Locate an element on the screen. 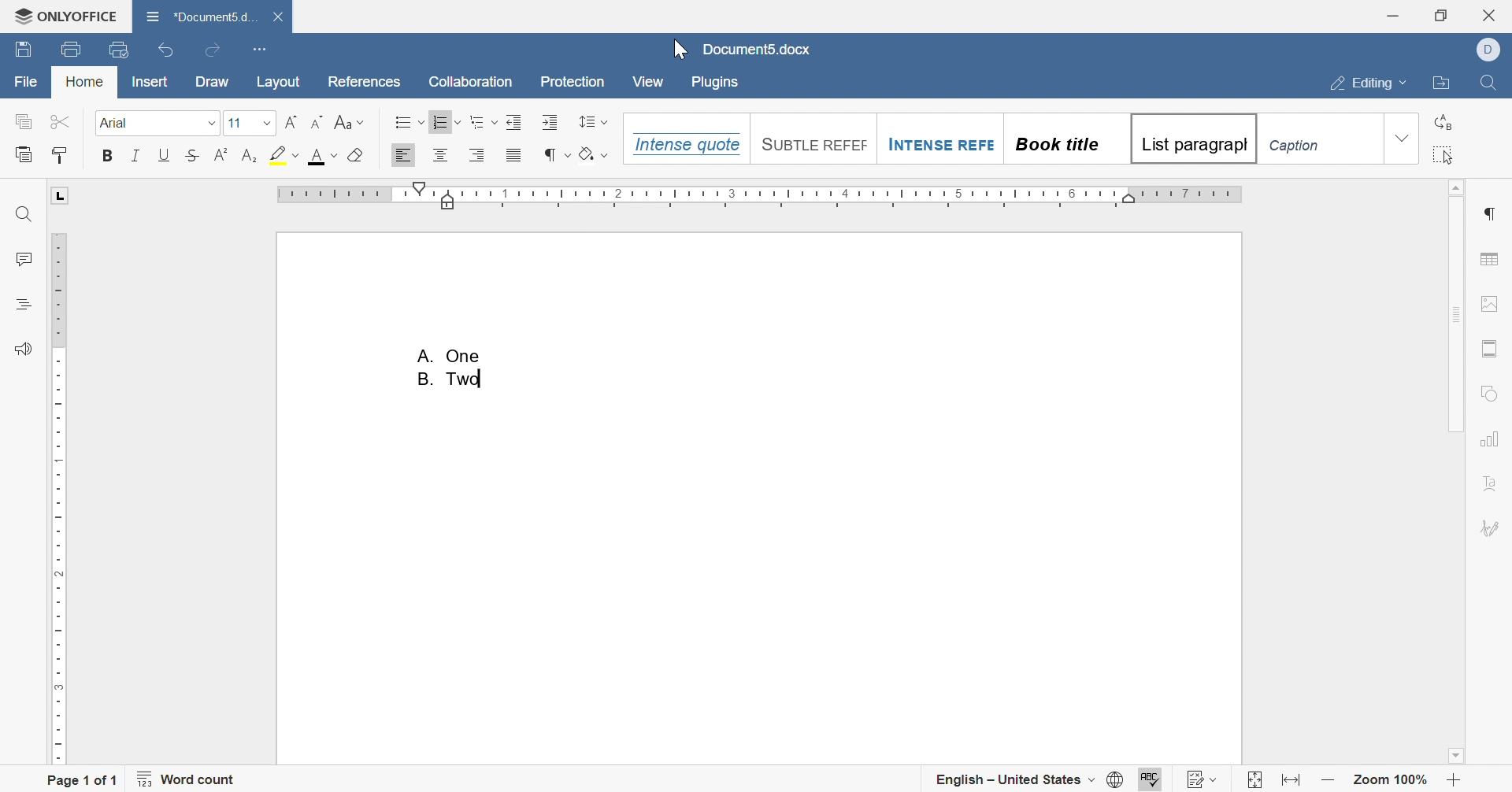 The width and height of the screenshot is (1512, 792). feedback & support is located at coordinates (24, 348).